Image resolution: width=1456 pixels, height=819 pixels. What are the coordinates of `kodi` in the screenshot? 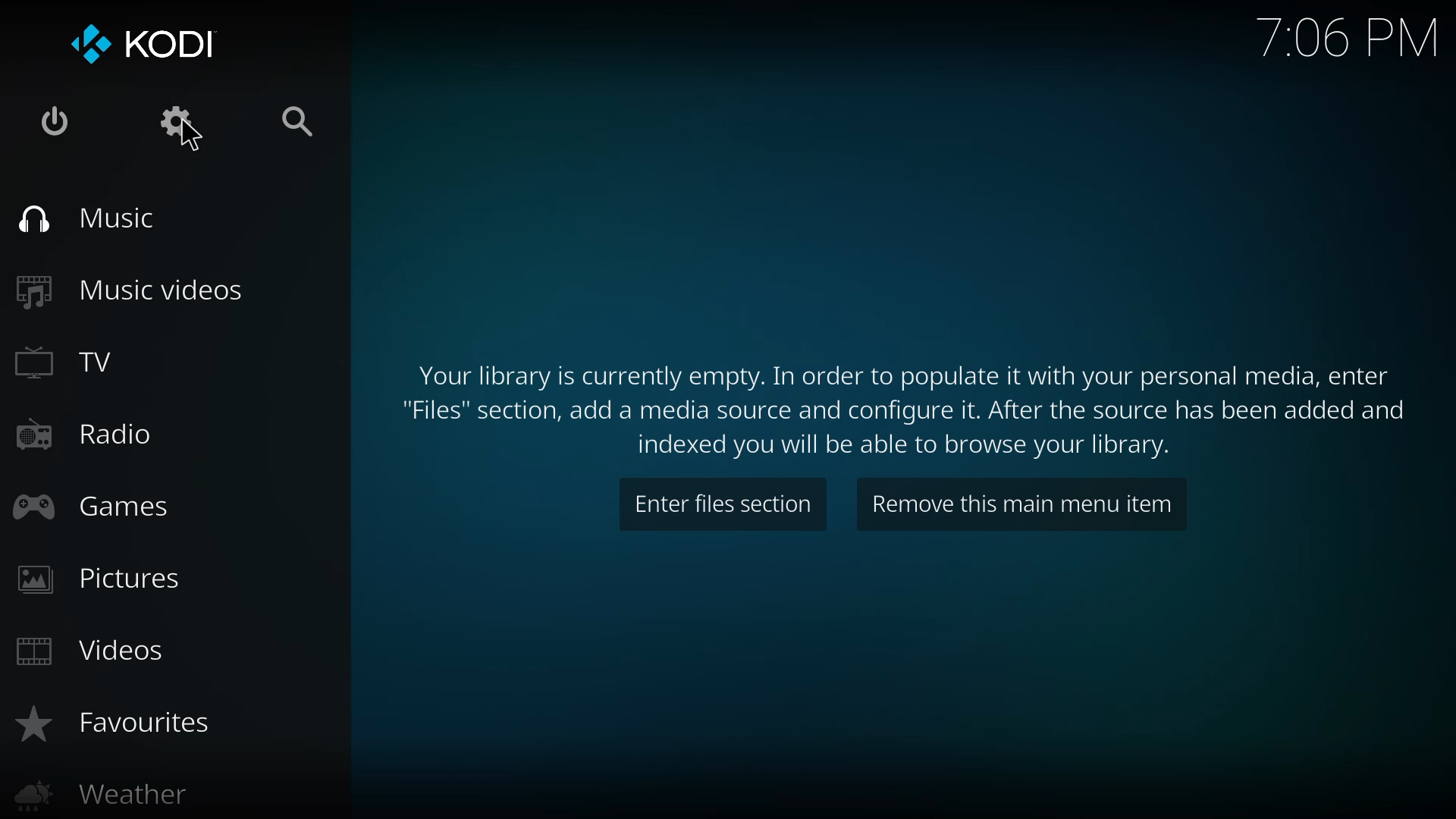 It's located at (141, 45).